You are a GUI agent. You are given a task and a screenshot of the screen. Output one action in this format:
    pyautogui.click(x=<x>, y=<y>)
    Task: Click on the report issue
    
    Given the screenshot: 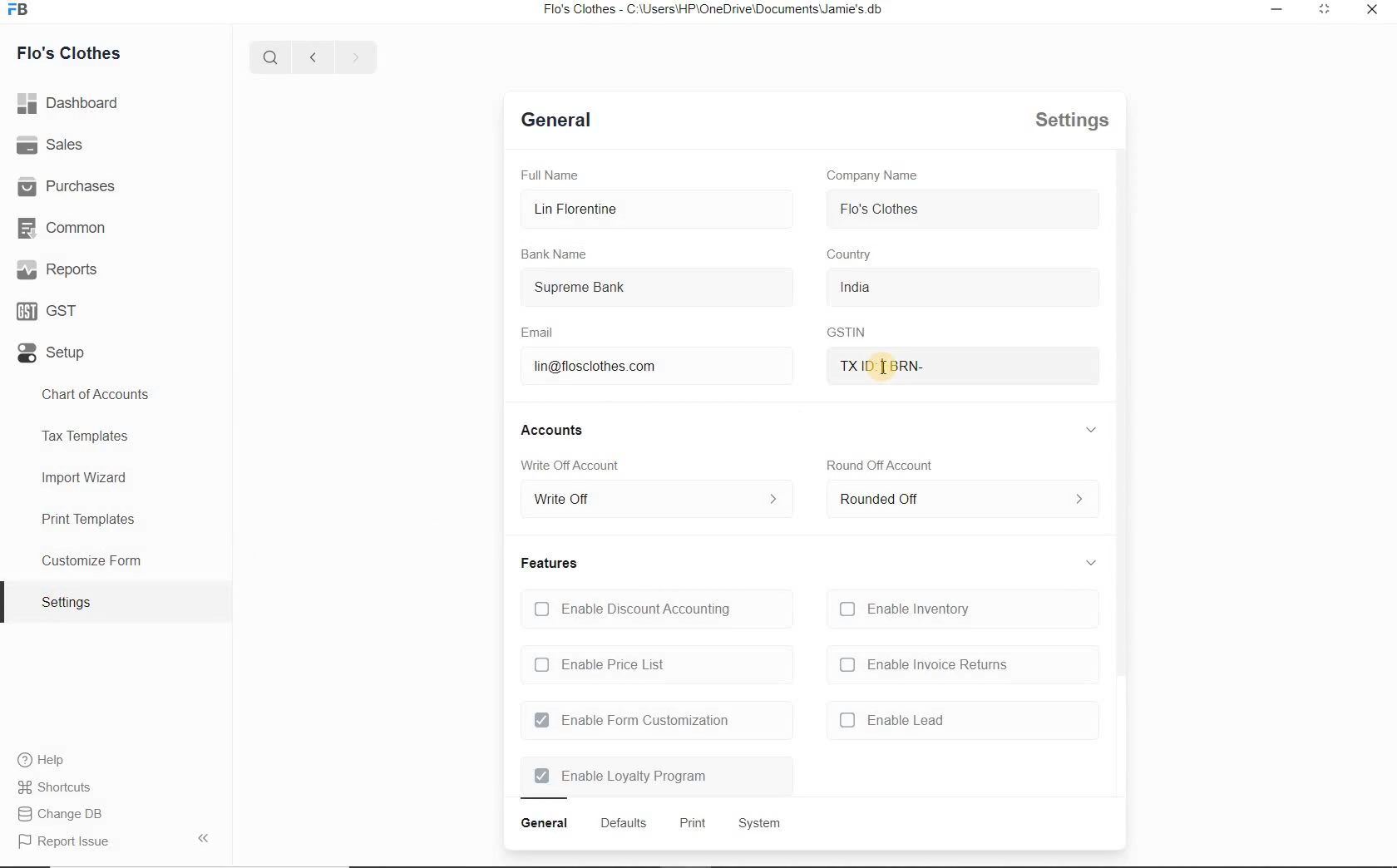 What is the action you would take?
    pyautogui.click(x=72, y=842)
    